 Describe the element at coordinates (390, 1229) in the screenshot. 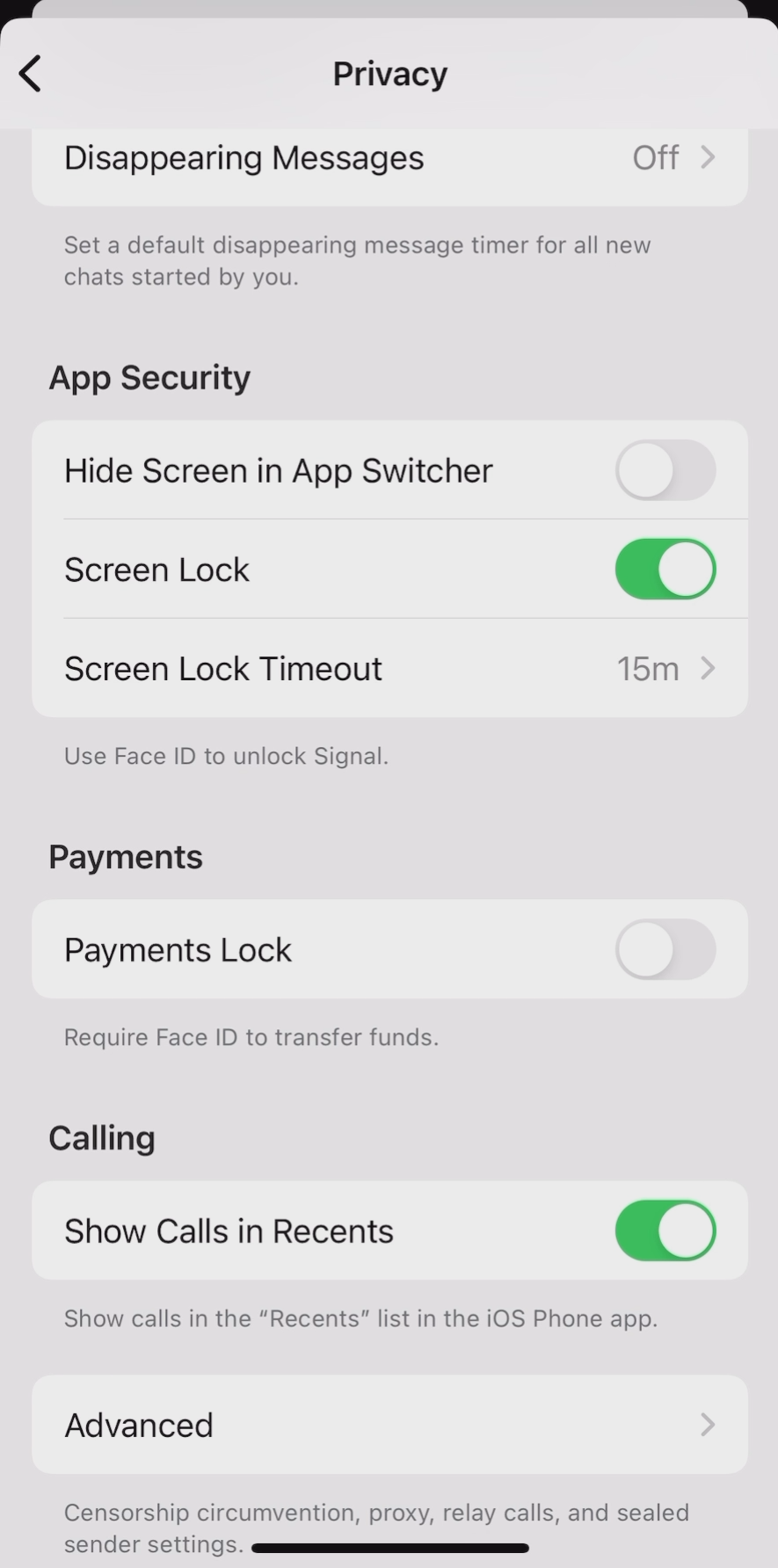

I see `show calls in recents enabled` at that location.